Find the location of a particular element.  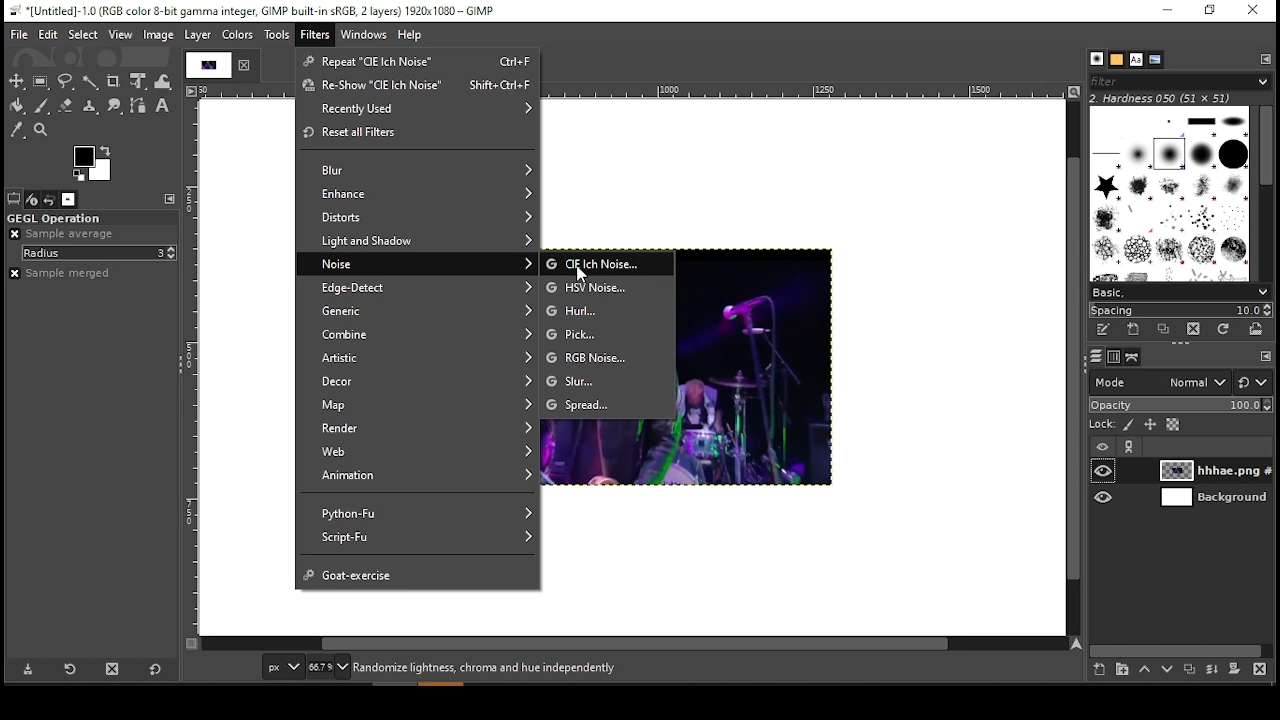

channels is located at coordinates (1111, 357).